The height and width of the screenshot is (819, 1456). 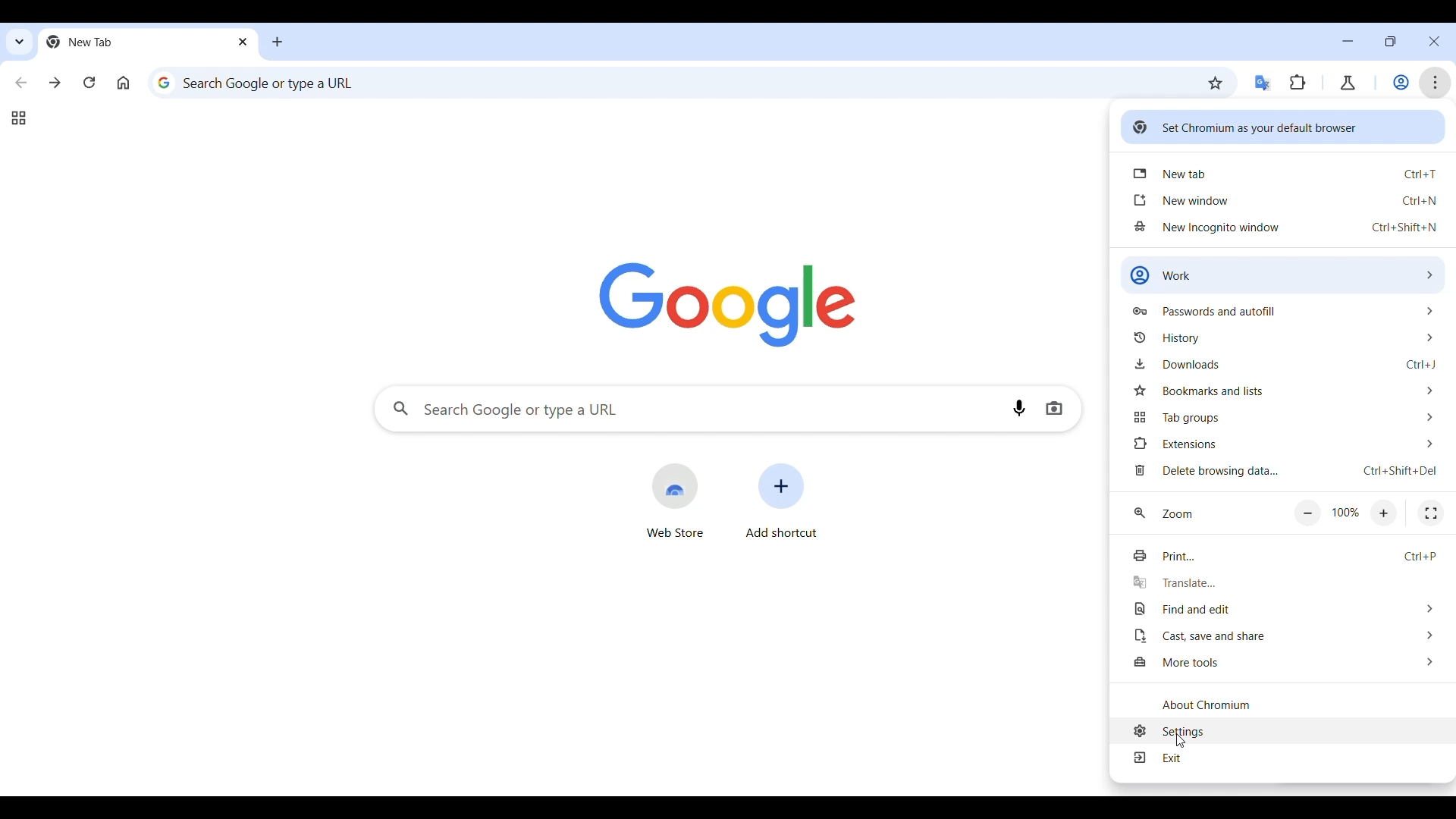 What do you see at coordinates (673, 83) in the screenshot?
I see `Search web or enter web link` at bounding box center [673, 83].